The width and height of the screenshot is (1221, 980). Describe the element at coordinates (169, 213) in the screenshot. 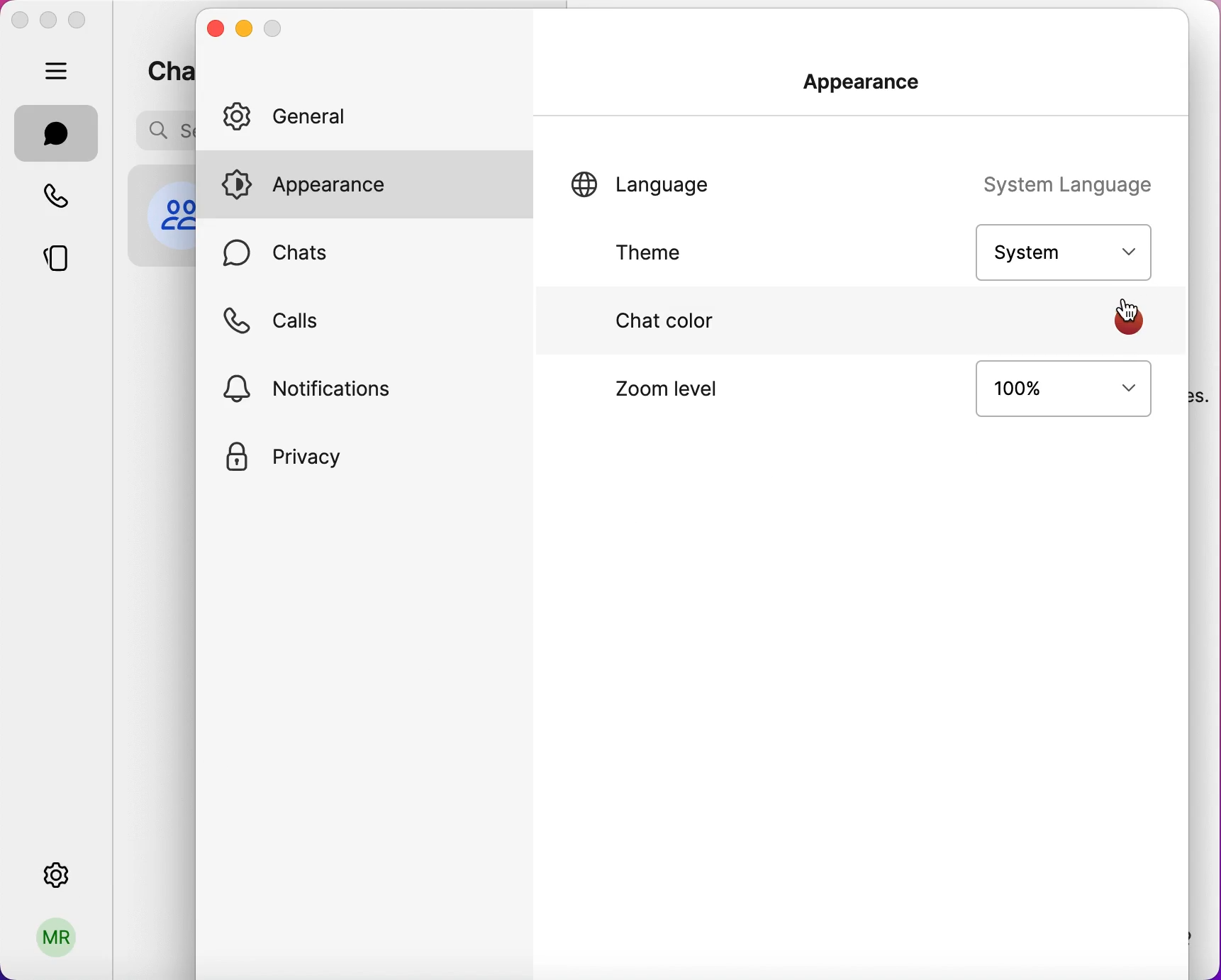

I see `profile picture` at that location.